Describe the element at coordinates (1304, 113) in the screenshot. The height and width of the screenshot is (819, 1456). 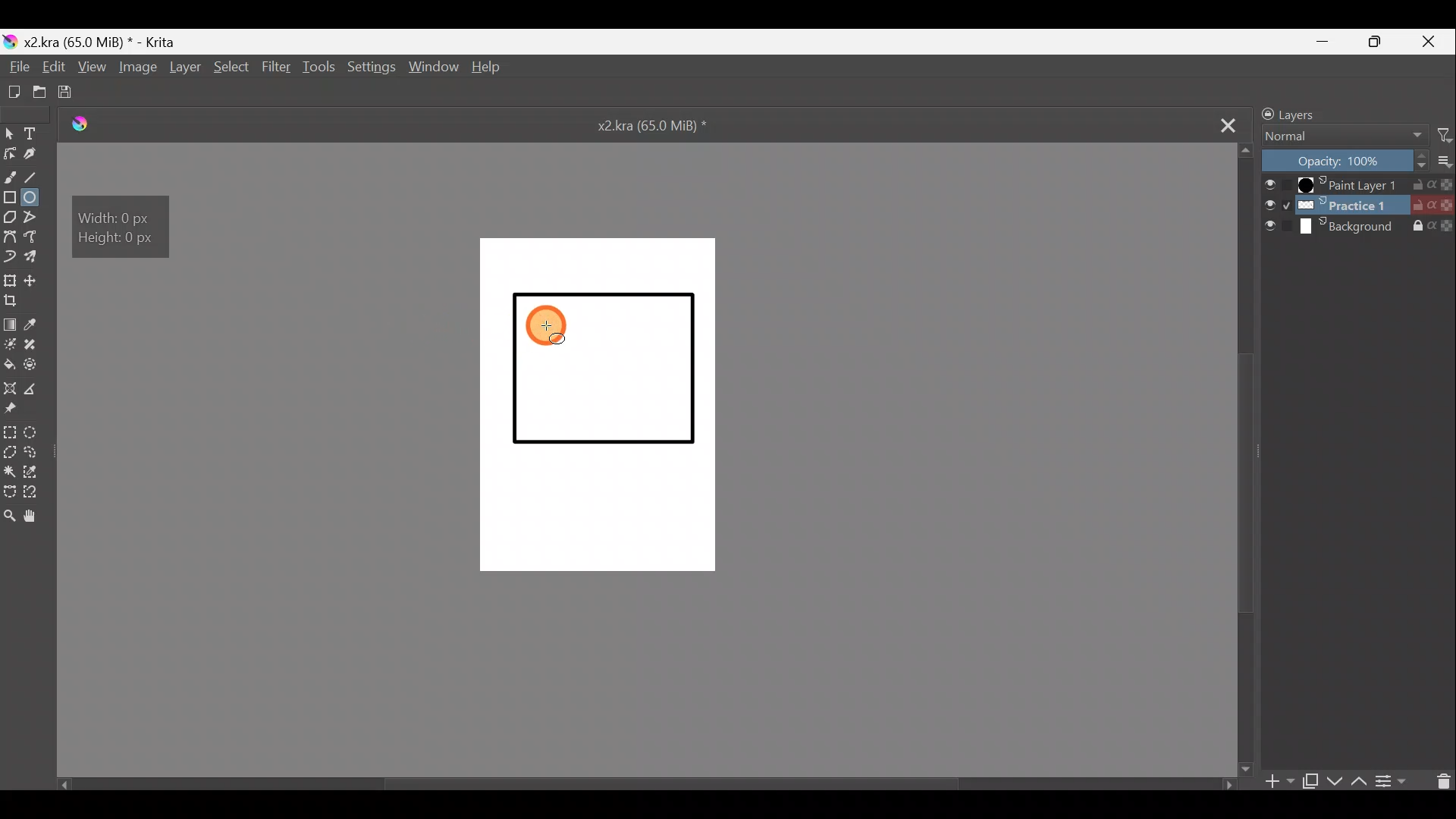
I see `Layers` at that location.